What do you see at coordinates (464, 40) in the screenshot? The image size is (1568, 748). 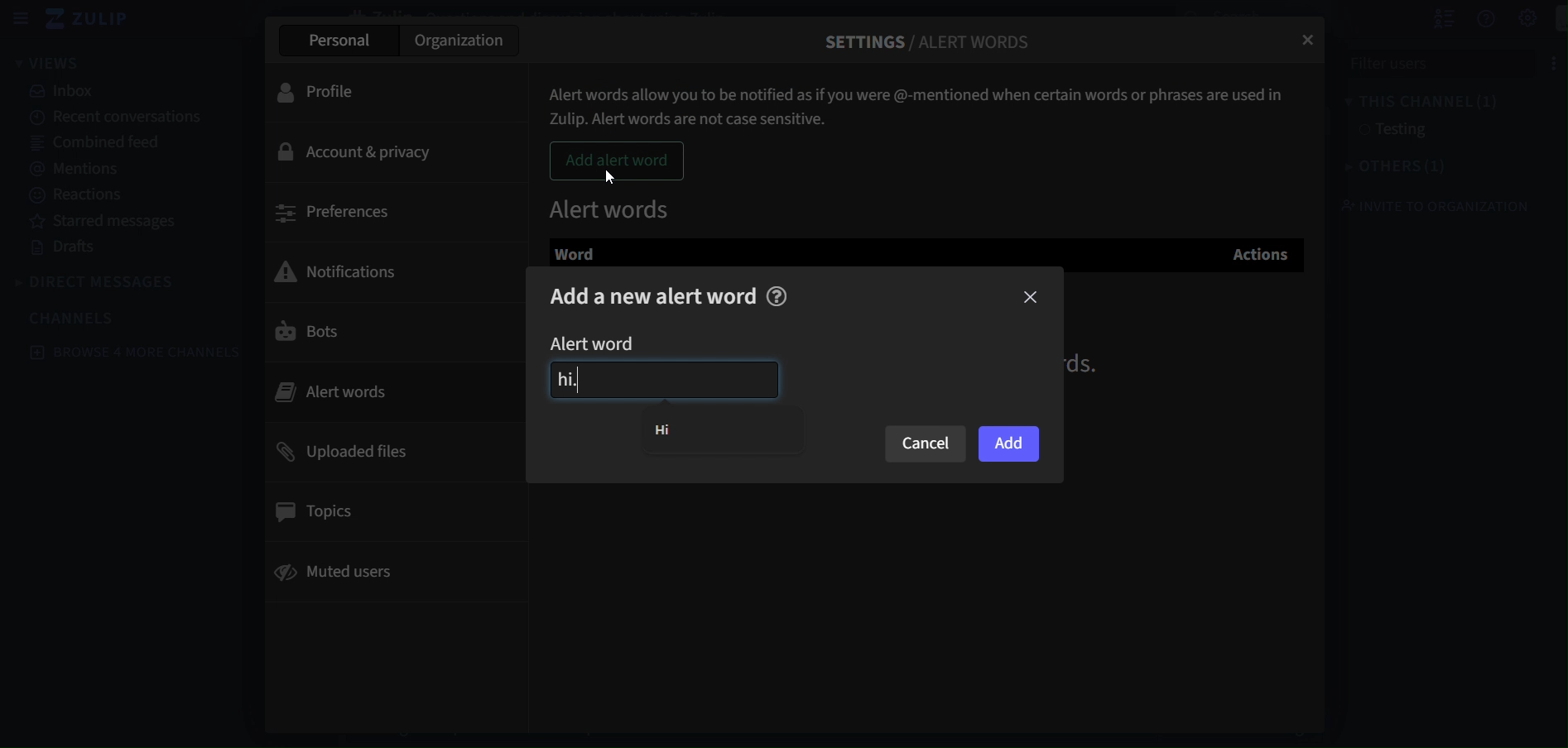 I see `organization` at bounding box center [464, 40].